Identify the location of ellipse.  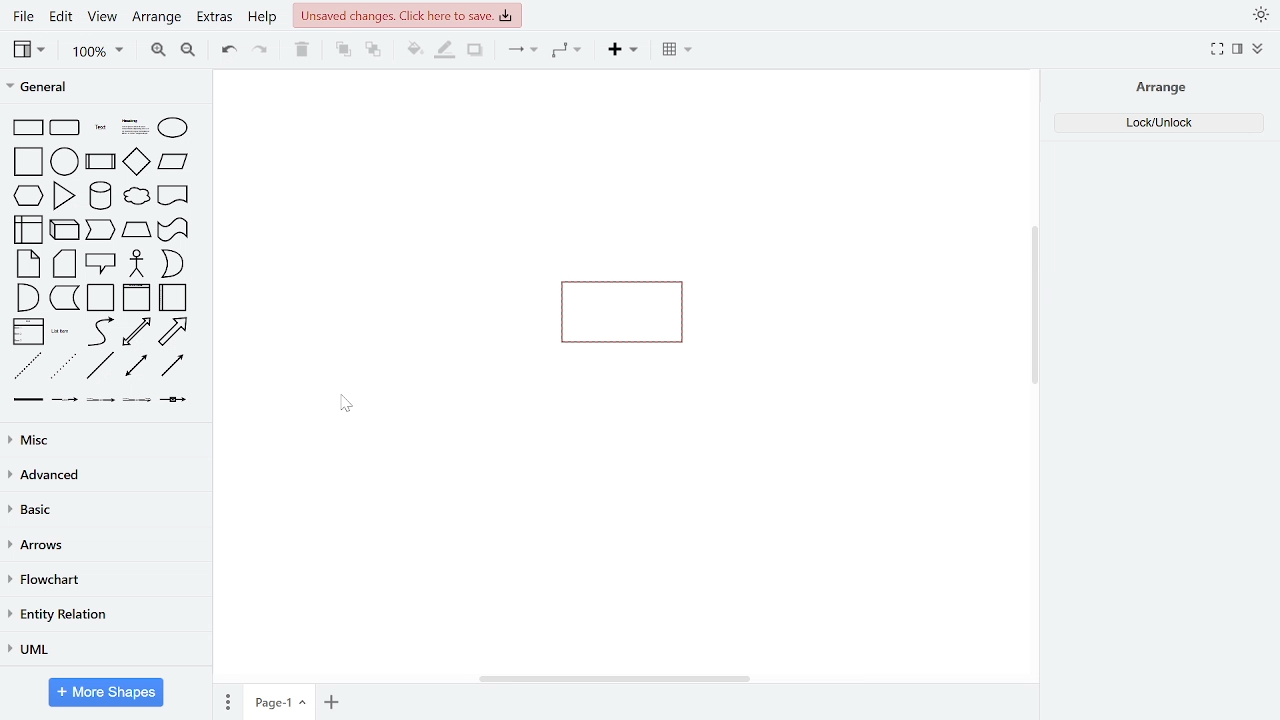
(174, 127).